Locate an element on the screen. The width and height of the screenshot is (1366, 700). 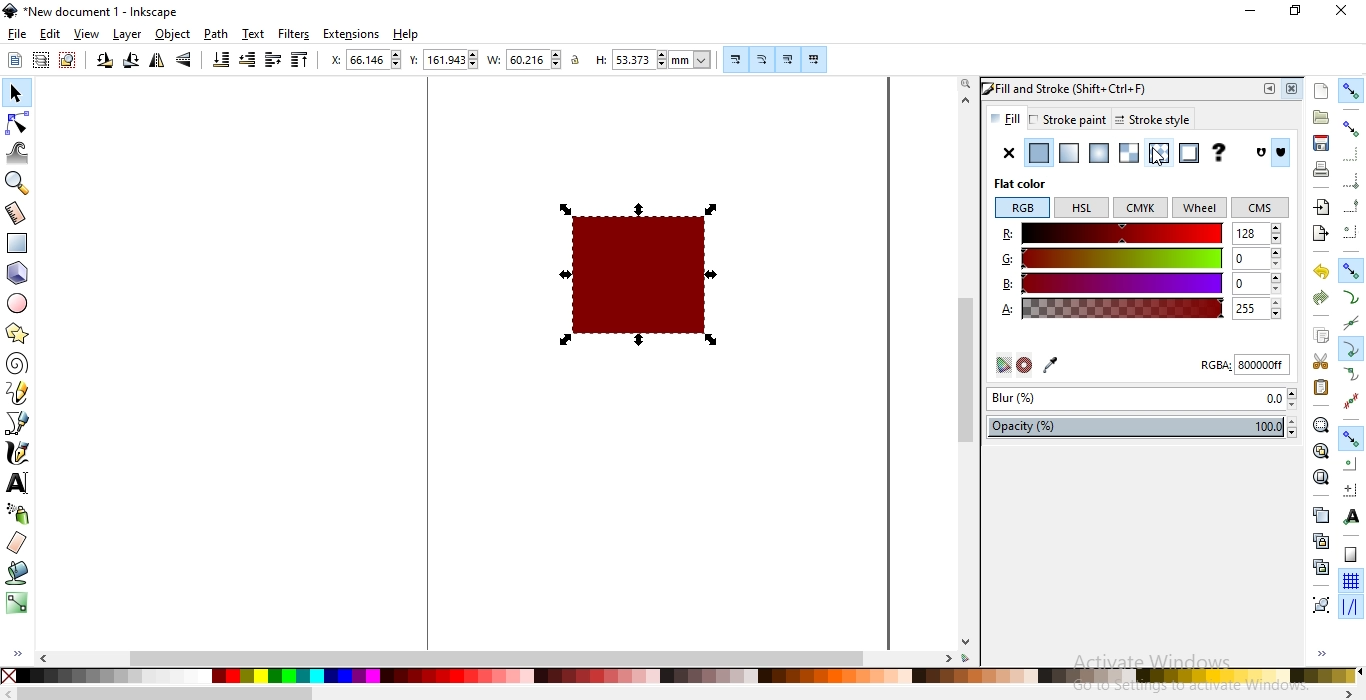
HSL is located at coordinates (1082, 208).